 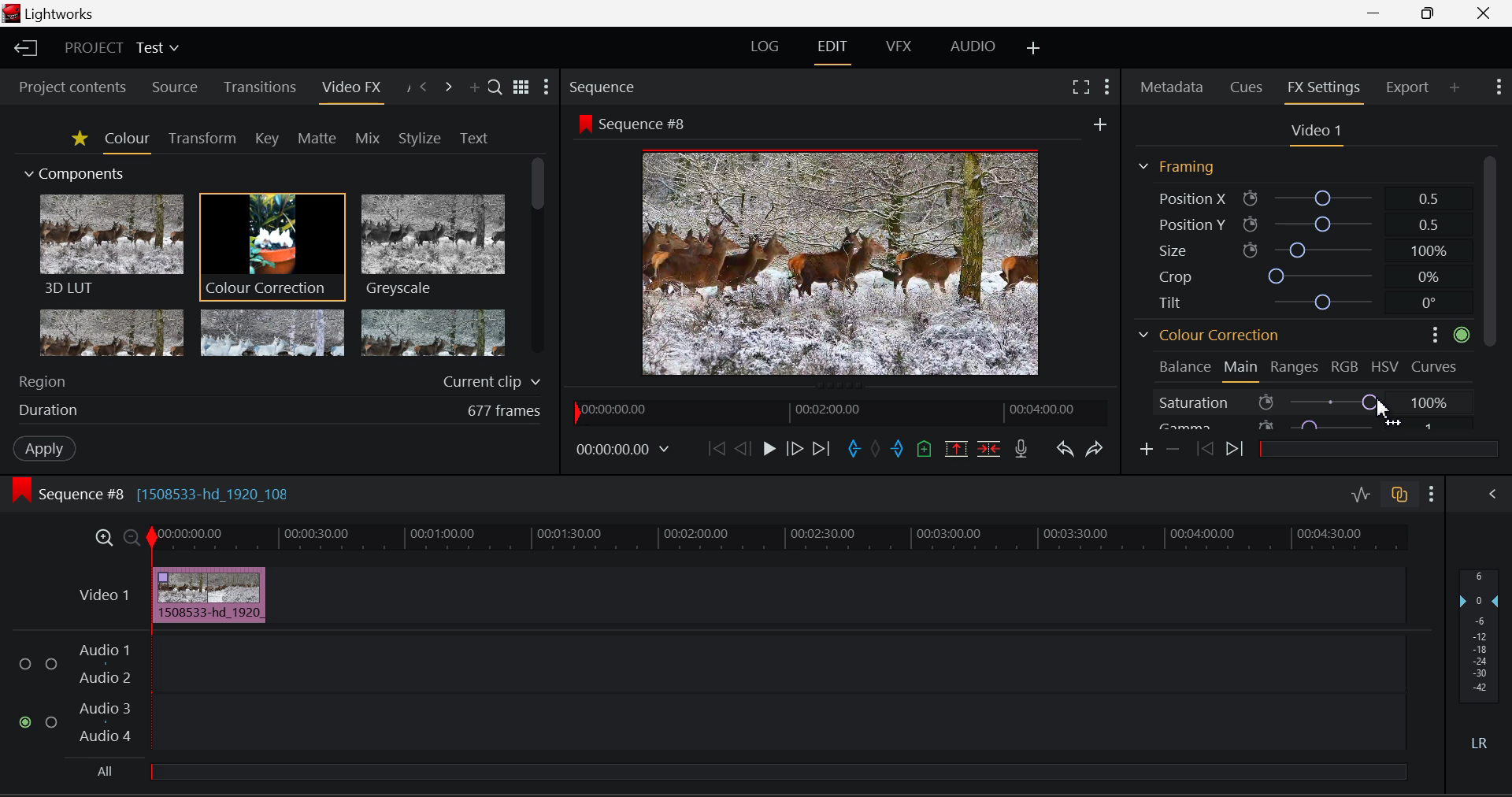 I want to click on Redo, so click(x=1096, y=450).